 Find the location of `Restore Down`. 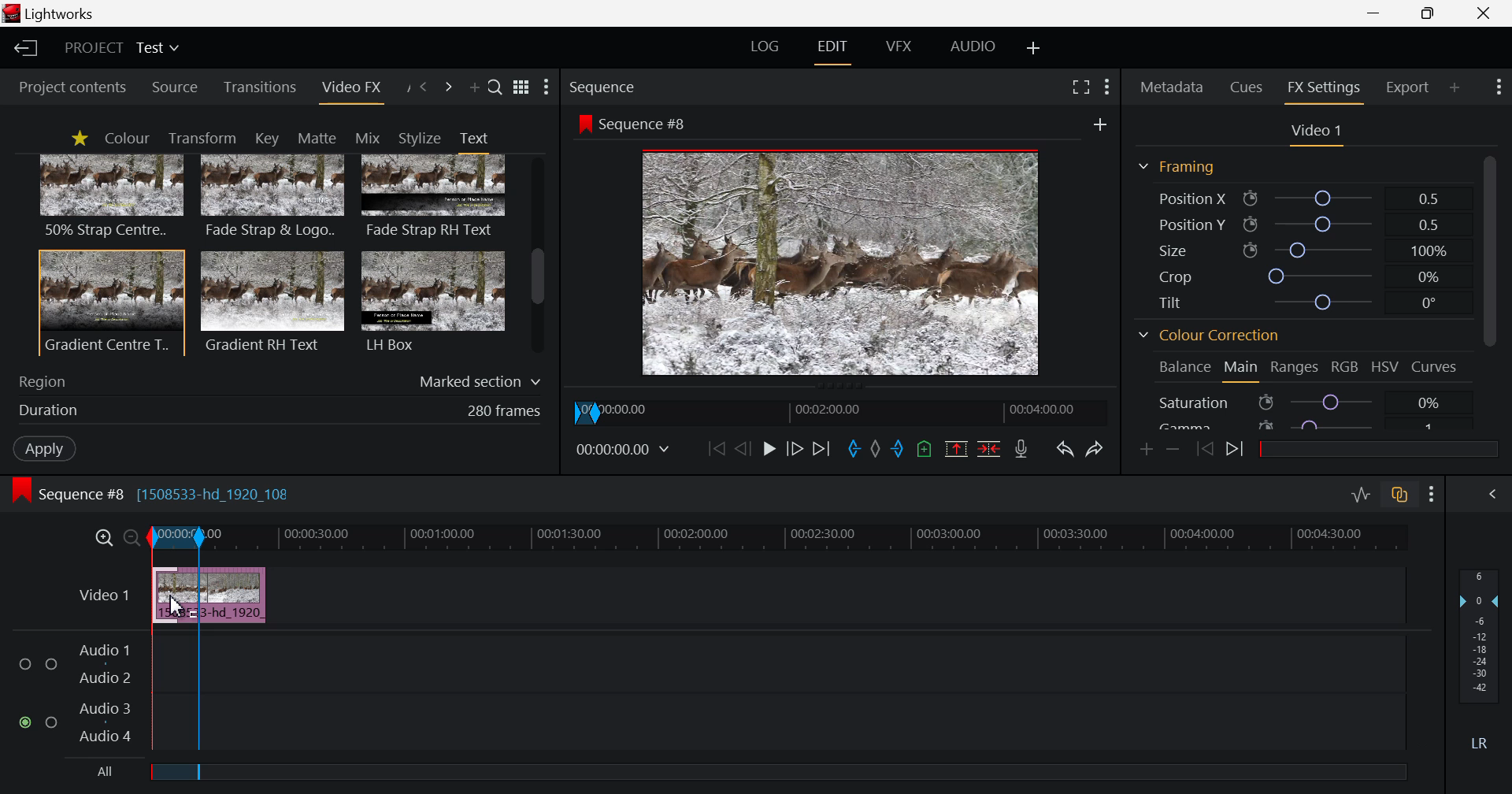

Restore Down is located at coordinates (1377, 13).